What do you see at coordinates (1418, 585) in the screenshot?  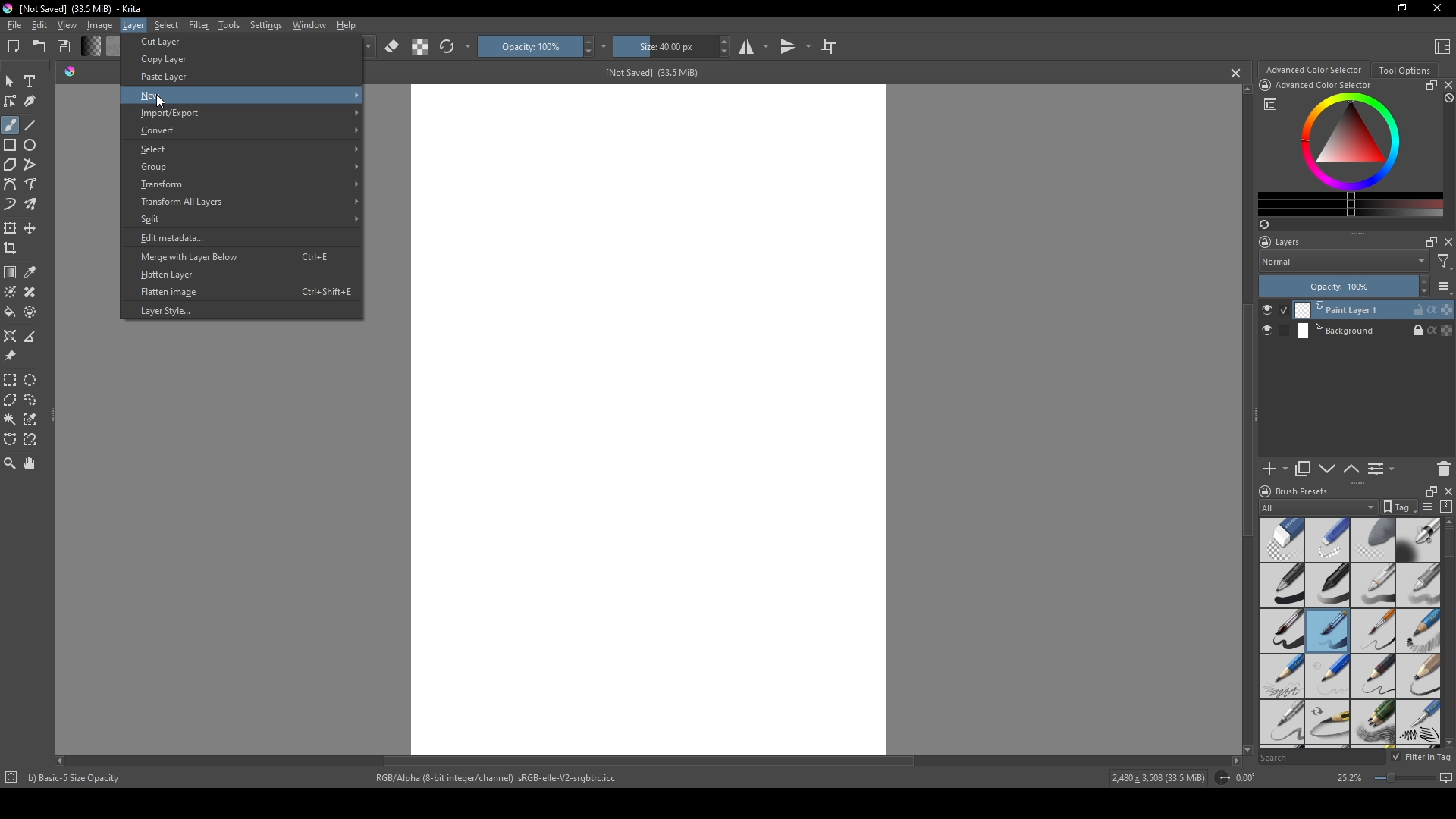 I see `grey pen` at bounding box center [1418, 585].